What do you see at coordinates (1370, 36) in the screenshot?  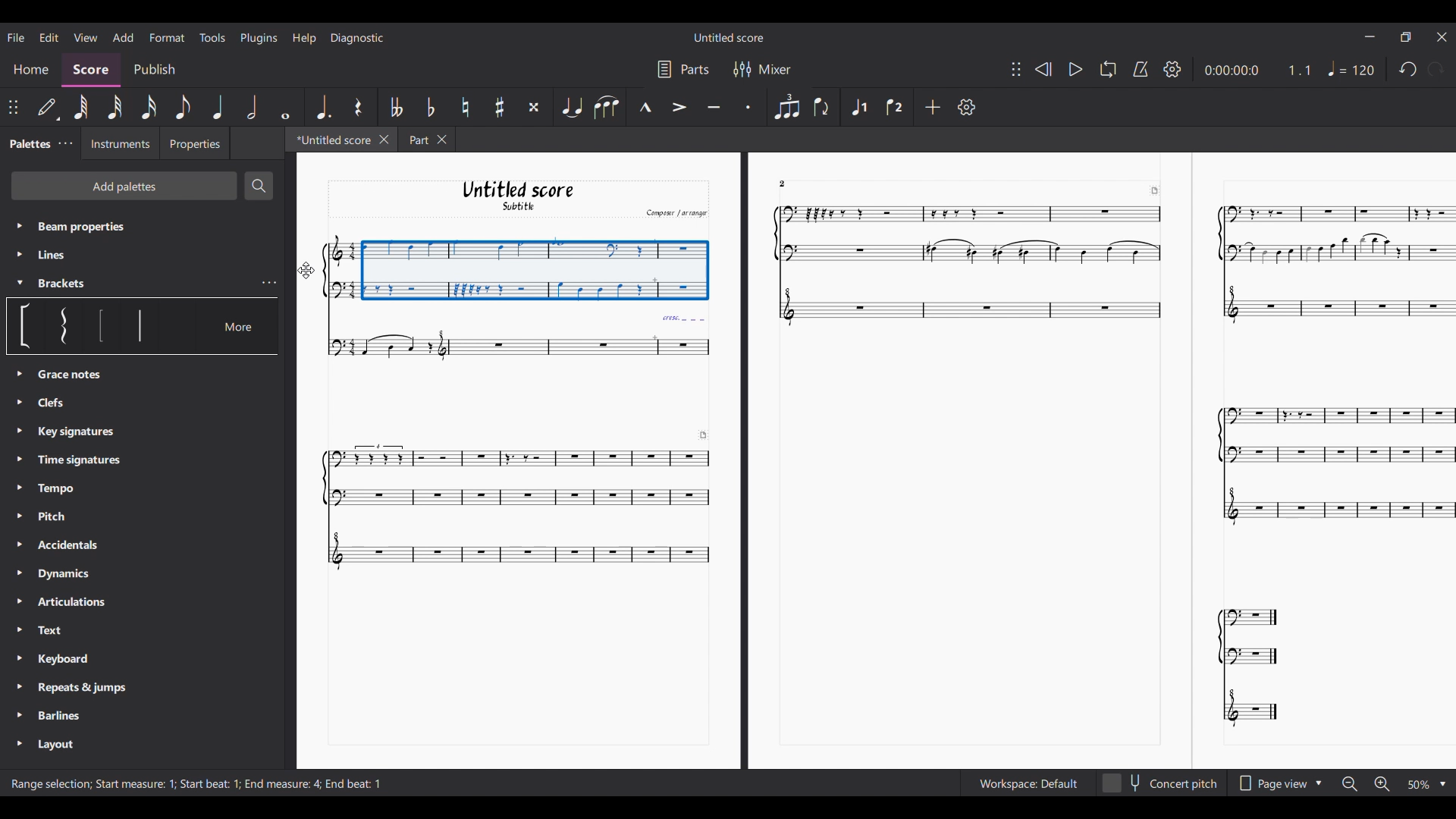 I see `Minimize` at bounding box center [1370, 36].